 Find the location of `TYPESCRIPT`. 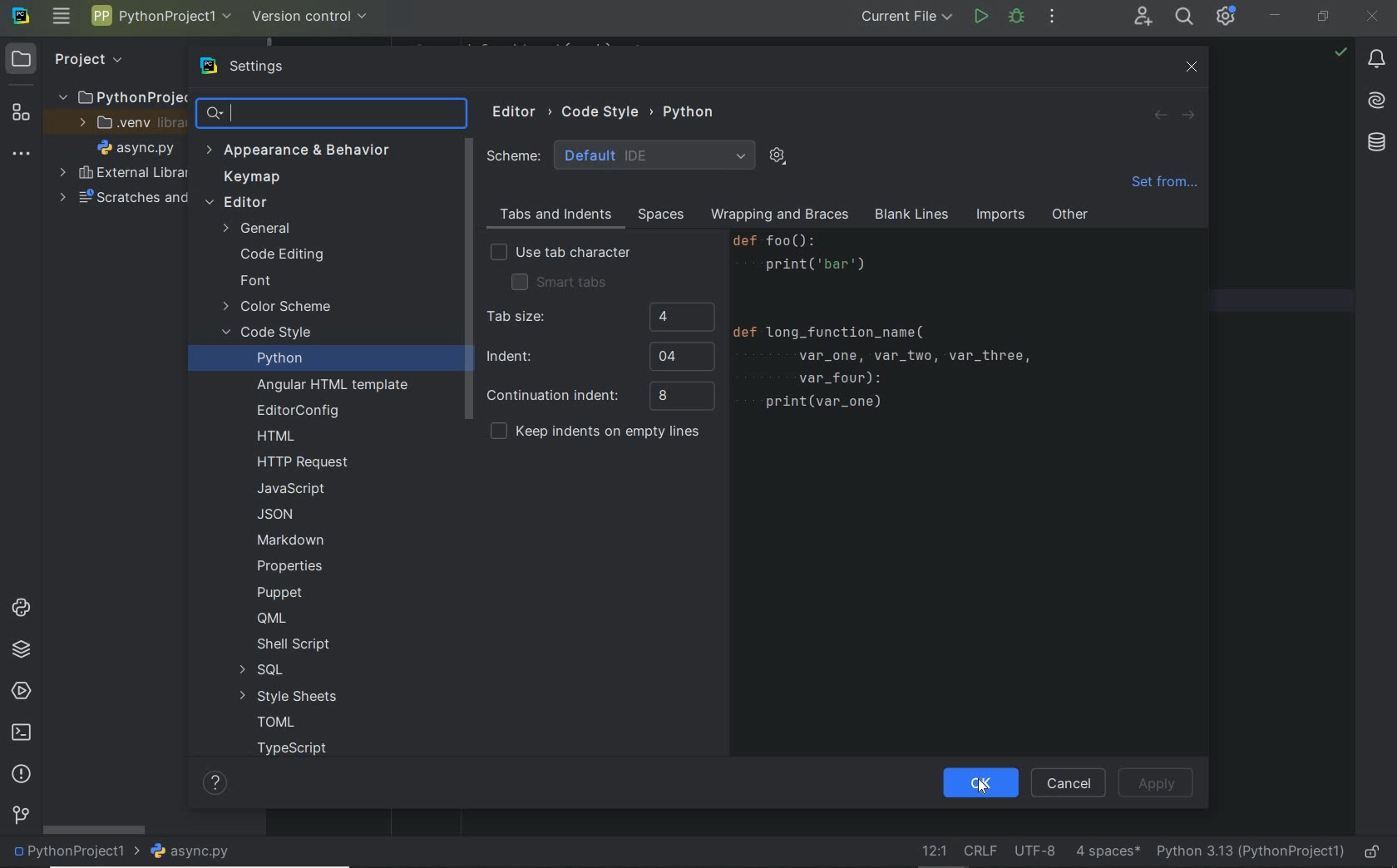

TYPESCRIPT is located at coordinates (298, 751).